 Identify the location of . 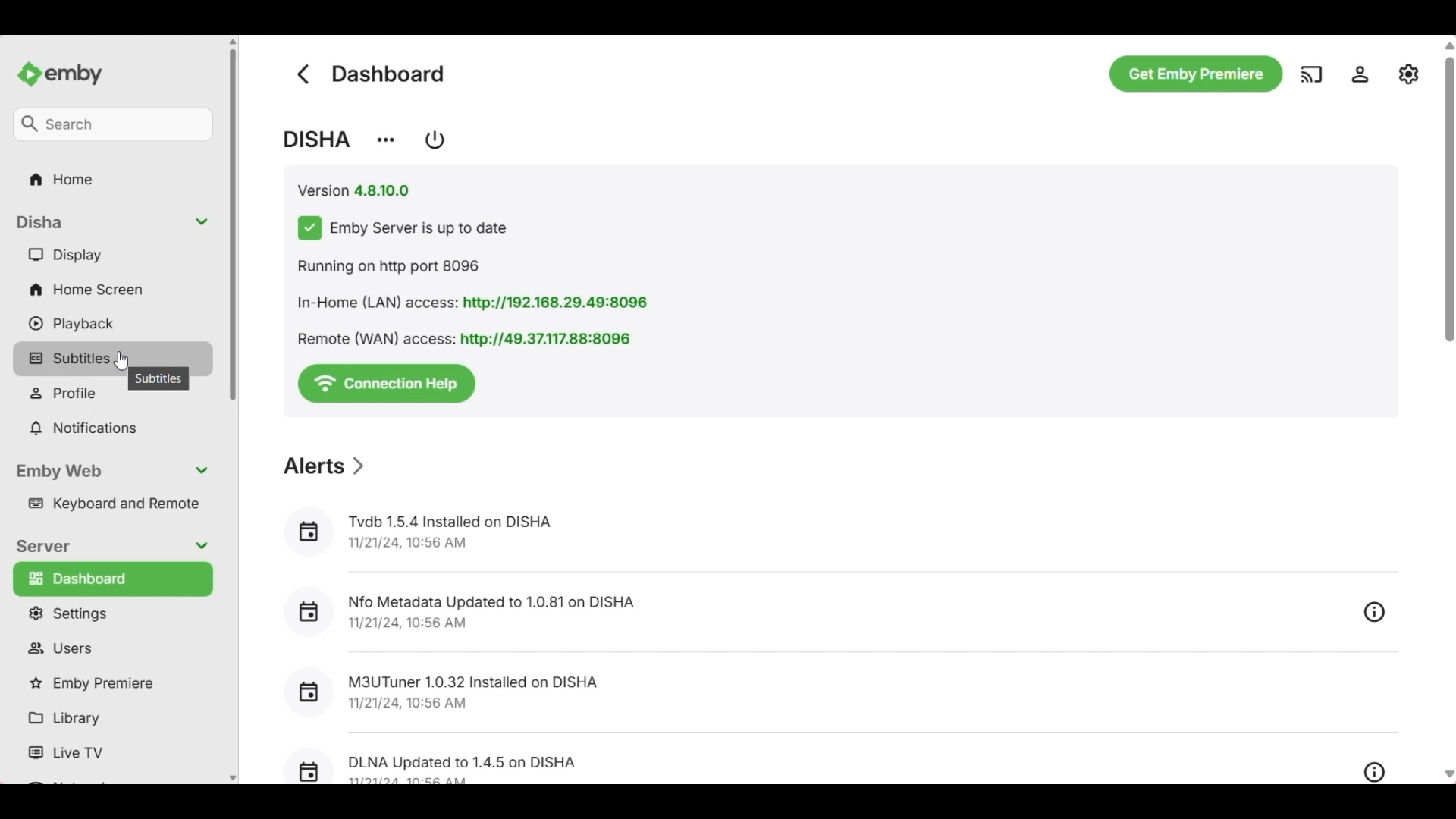
(1363, 74).